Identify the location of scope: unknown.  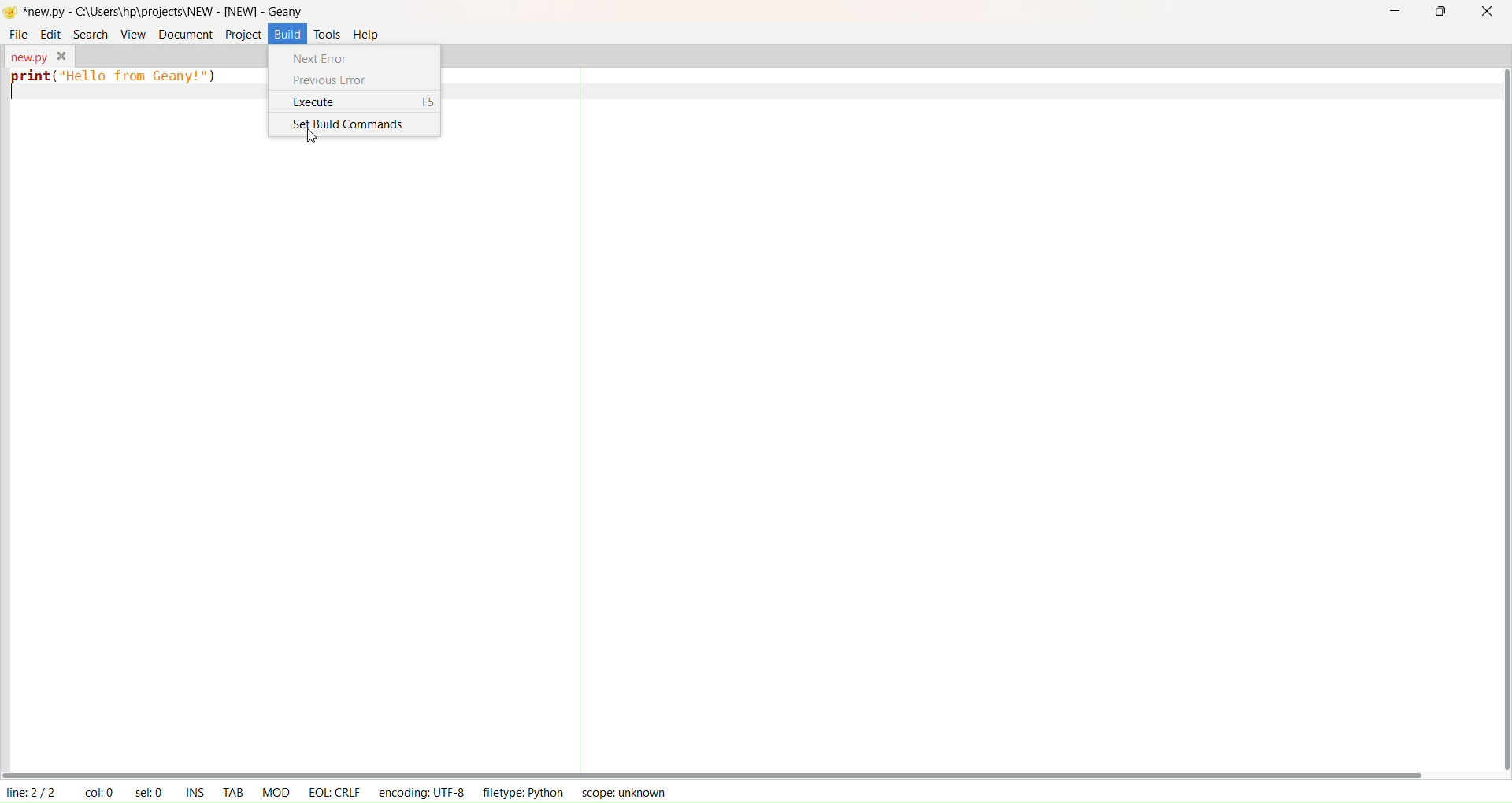
(621, 792).